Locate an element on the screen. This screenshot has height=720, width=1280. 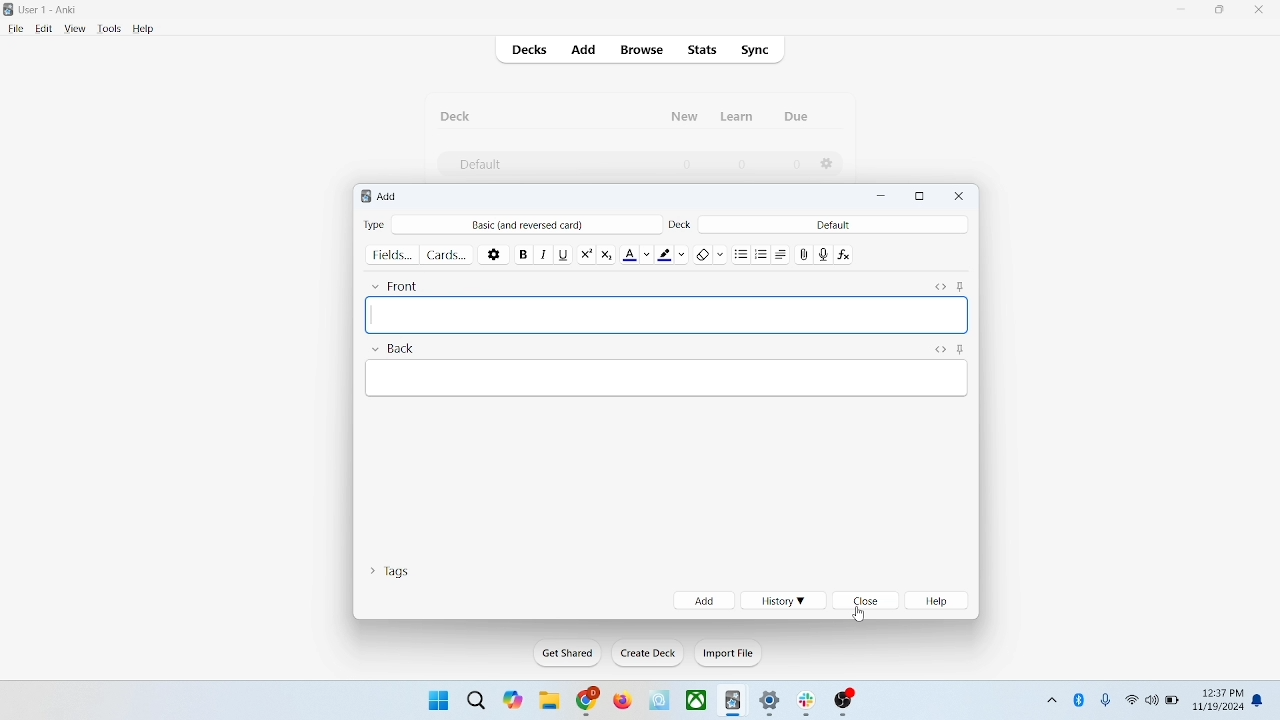
underline is located at coordinates (563, 253).